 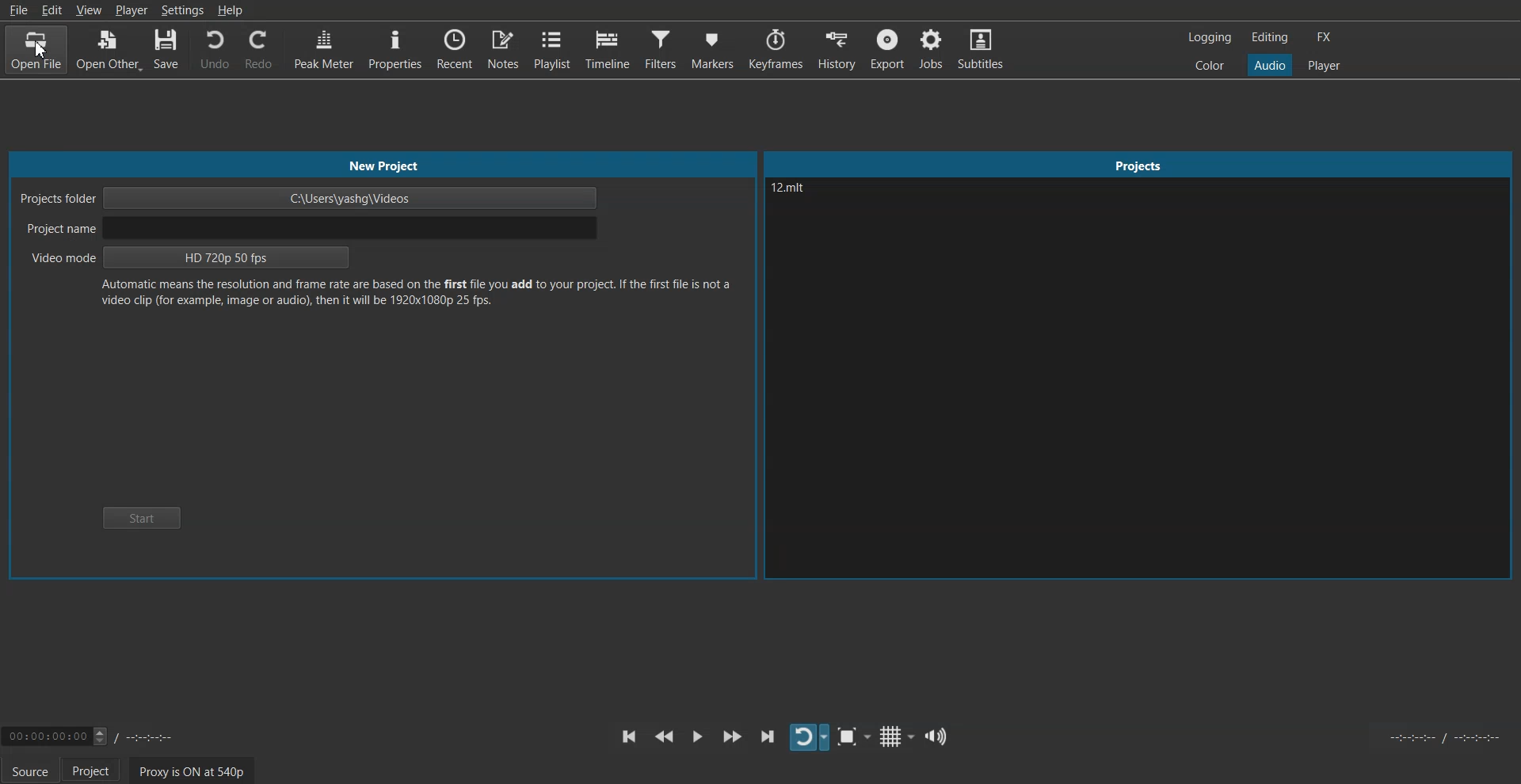 What do you see at coordinates (629, 736) in the screenshot?
I see `Skip To previous point` at bounding box center [629, 736].